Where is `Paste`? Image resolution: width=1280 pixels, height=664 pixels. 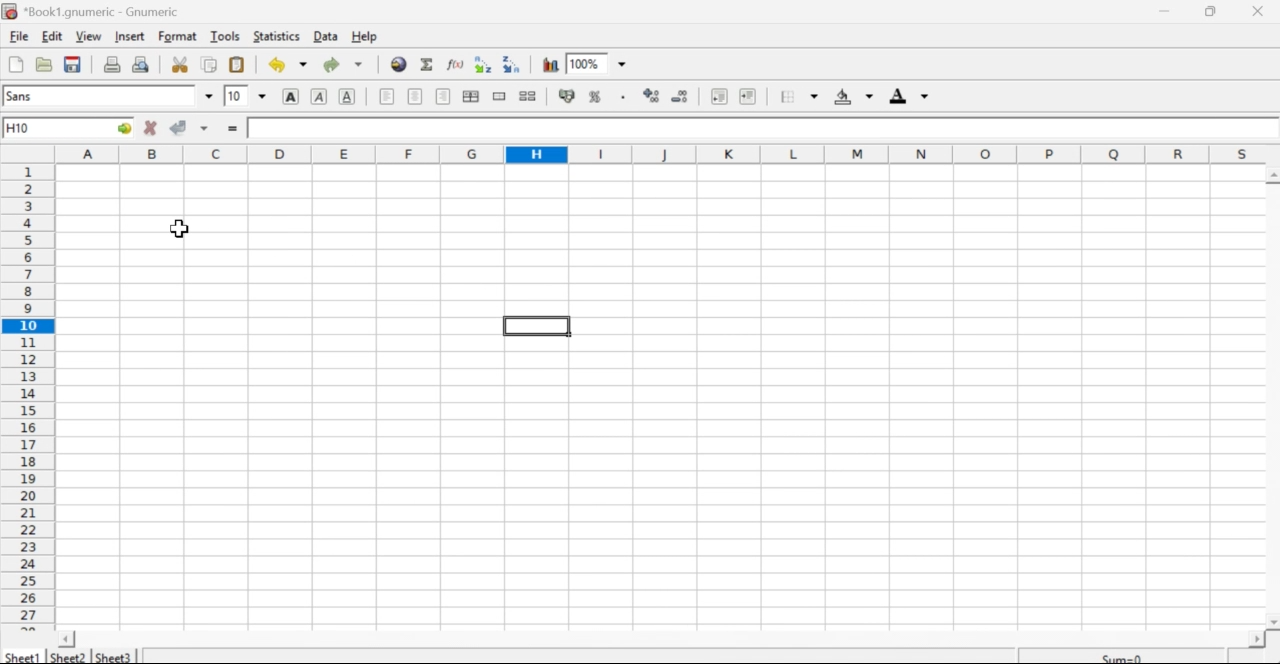
Paste is located at coordinates (238, 66).